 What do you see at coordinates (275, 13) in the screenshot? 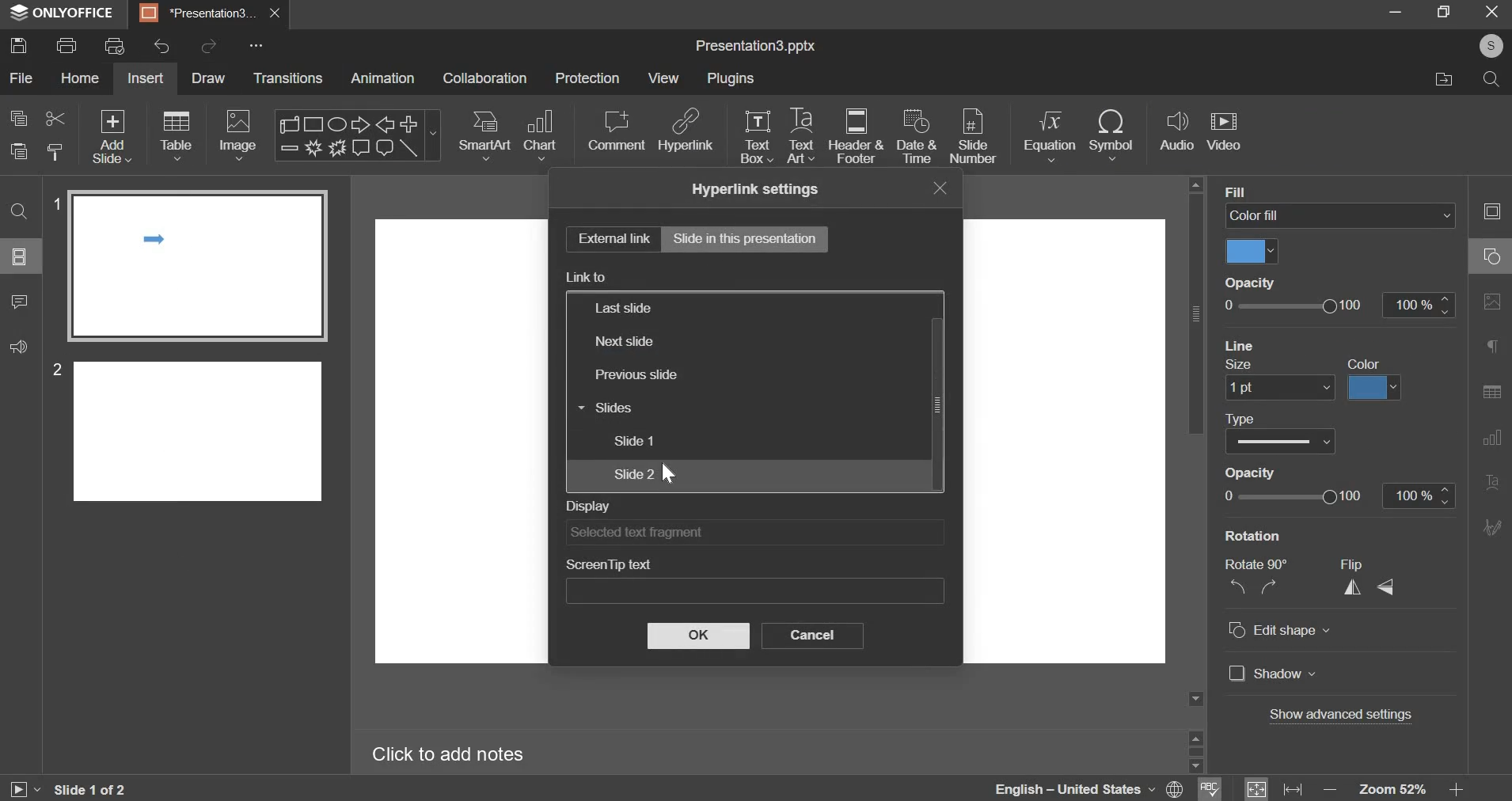
I see `close` at bounding box center [275, 13].